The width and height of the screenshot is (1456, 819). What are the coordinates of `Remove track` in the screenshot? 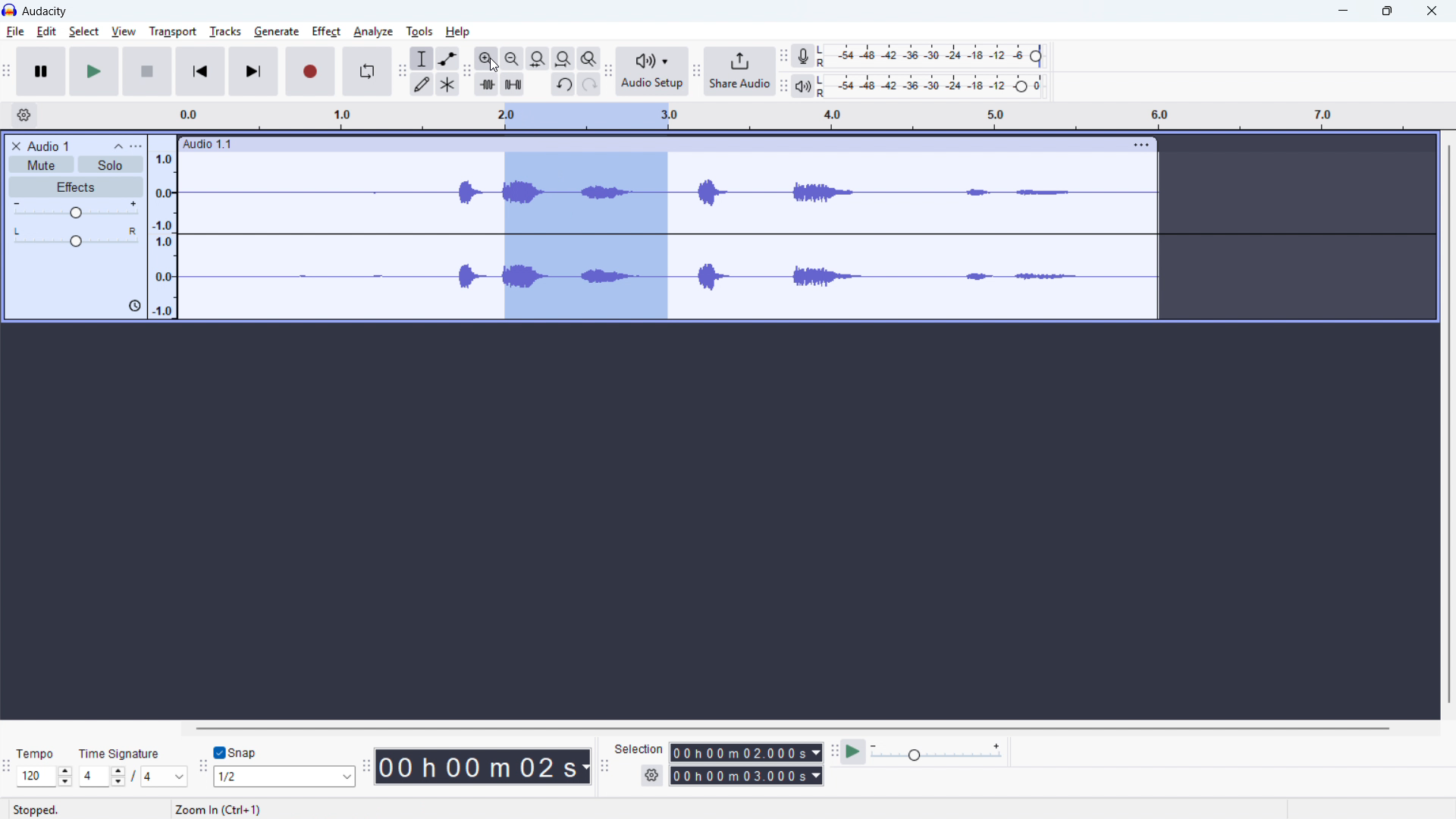 It's located at (16, 146).